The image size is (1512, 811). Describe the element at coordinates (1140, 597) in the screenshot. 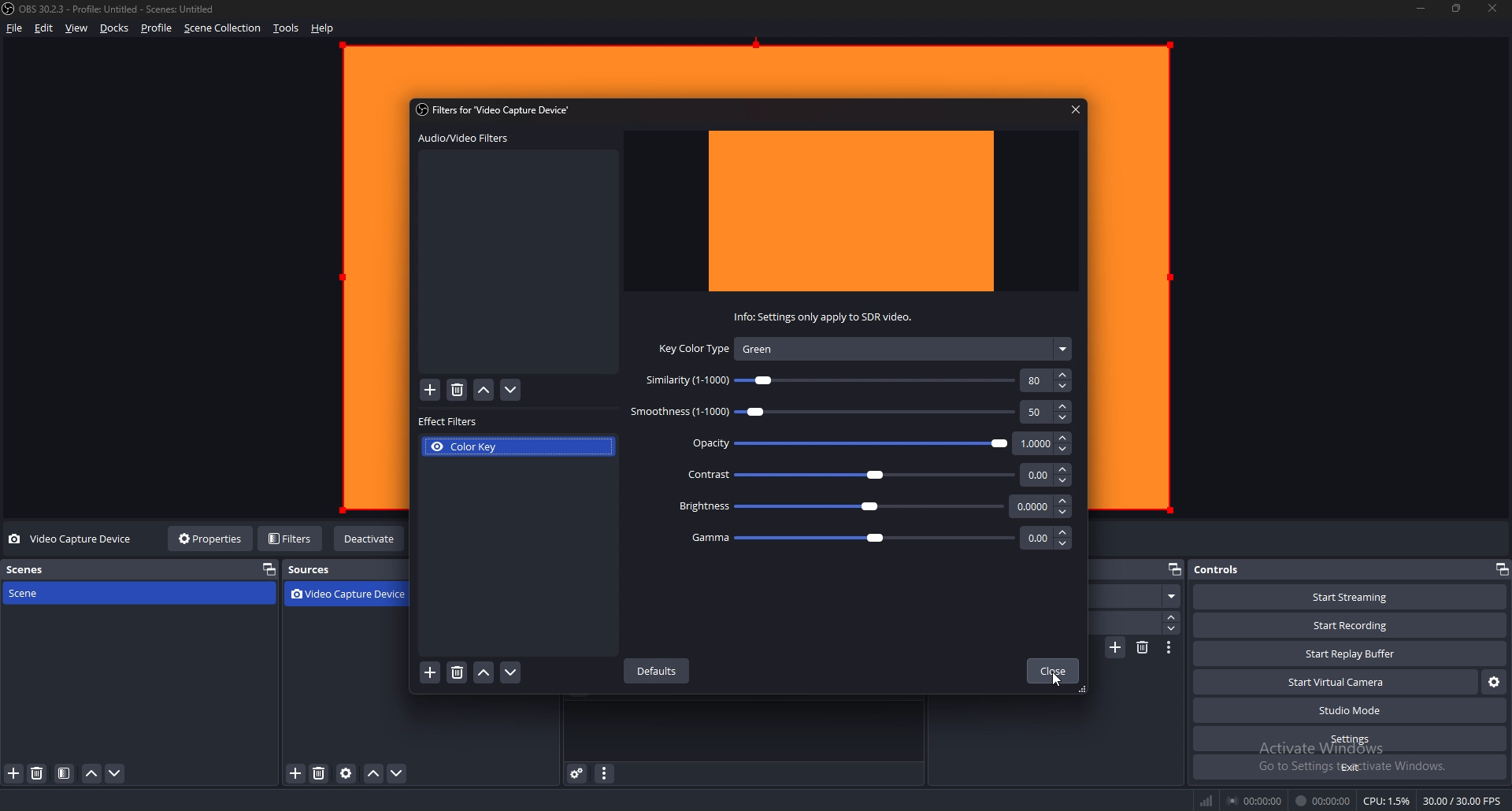

I see `fade` at that location.